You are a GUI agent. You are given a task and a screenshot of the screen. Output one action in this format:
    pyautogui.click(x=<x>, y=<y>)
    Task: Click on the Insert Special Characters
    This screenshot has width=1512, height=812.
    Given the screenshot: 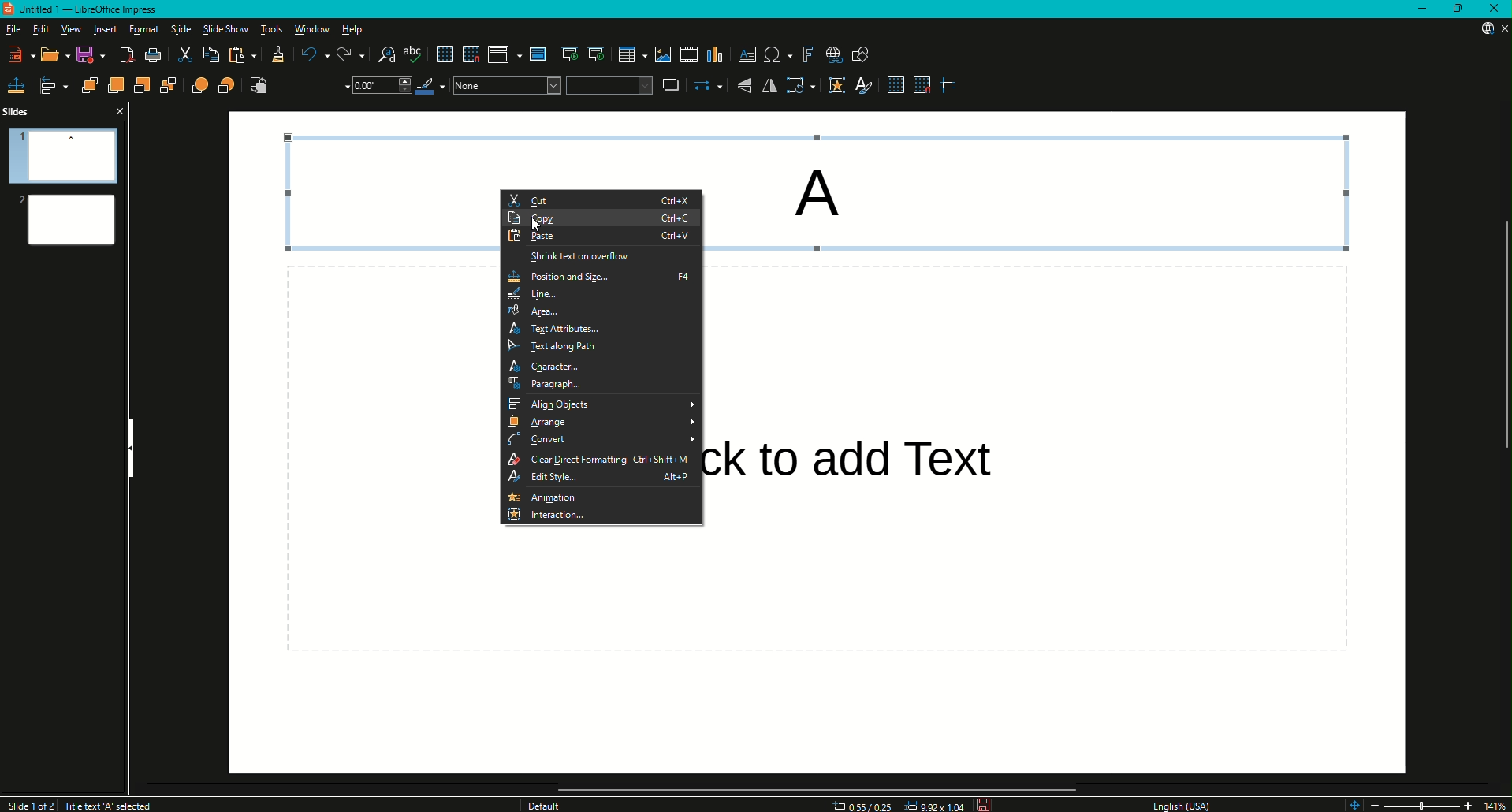 What is the action you would take?
    pyautogui.click(x=774, y=54)
    